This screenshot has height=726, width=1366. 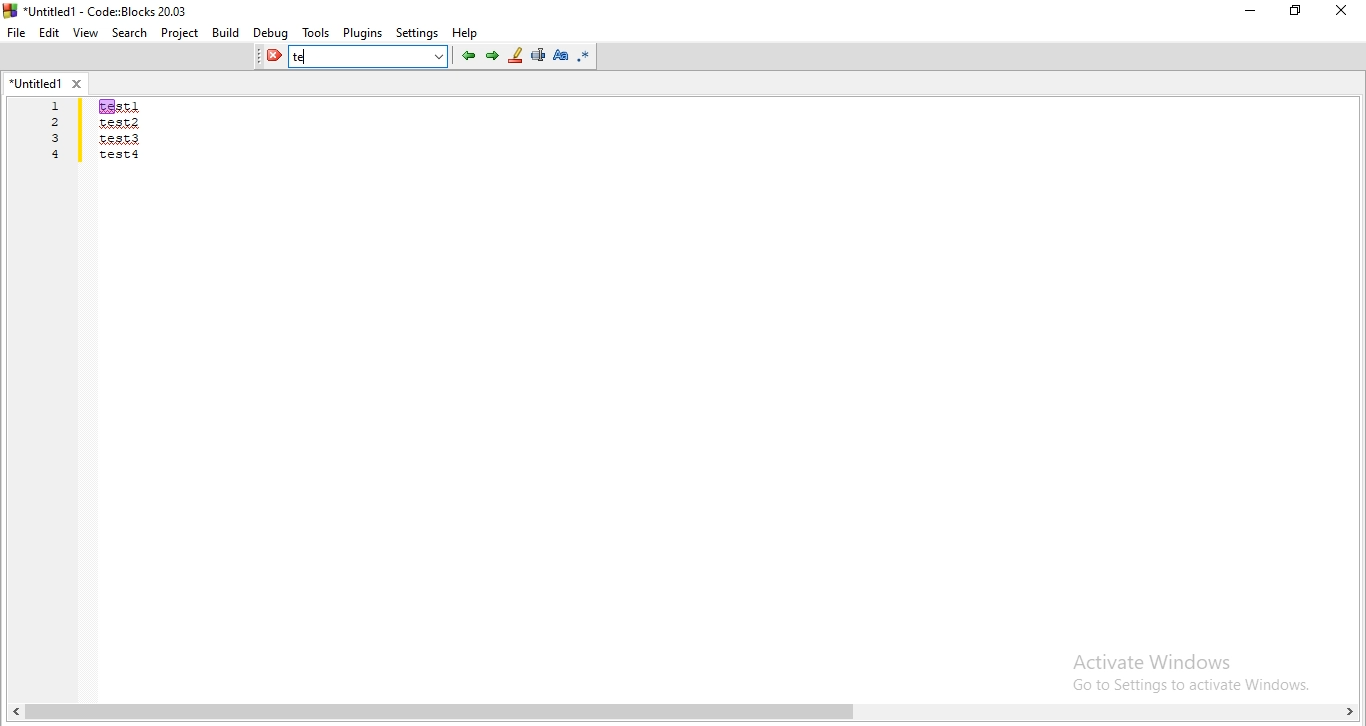 I want to click on logo, so click(x=10, y=10).